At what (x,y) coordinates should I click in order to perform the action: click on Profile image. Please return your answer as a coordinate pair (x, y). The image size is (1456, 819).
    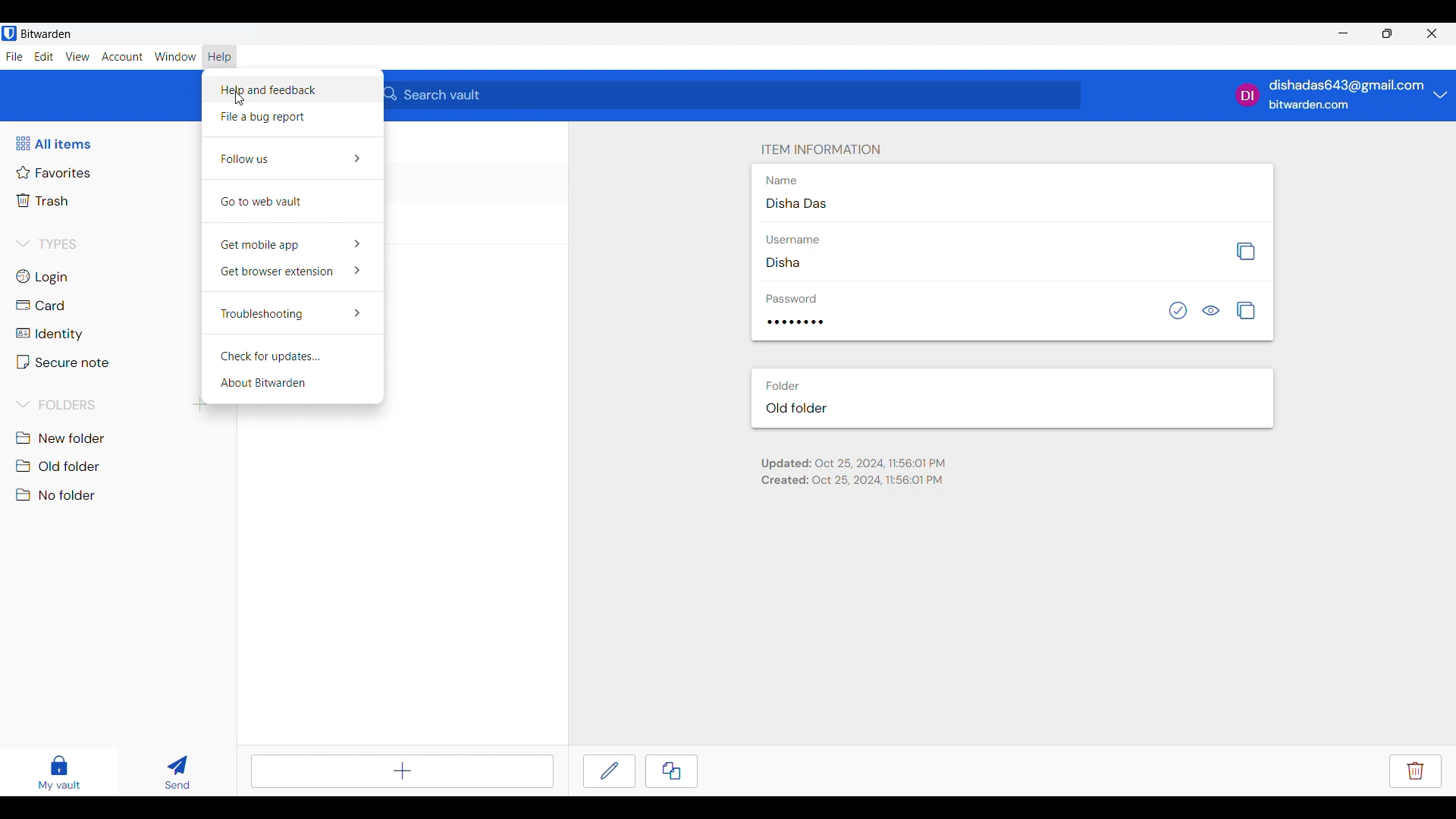
    Looking at the image, I should click on (1248, 95).